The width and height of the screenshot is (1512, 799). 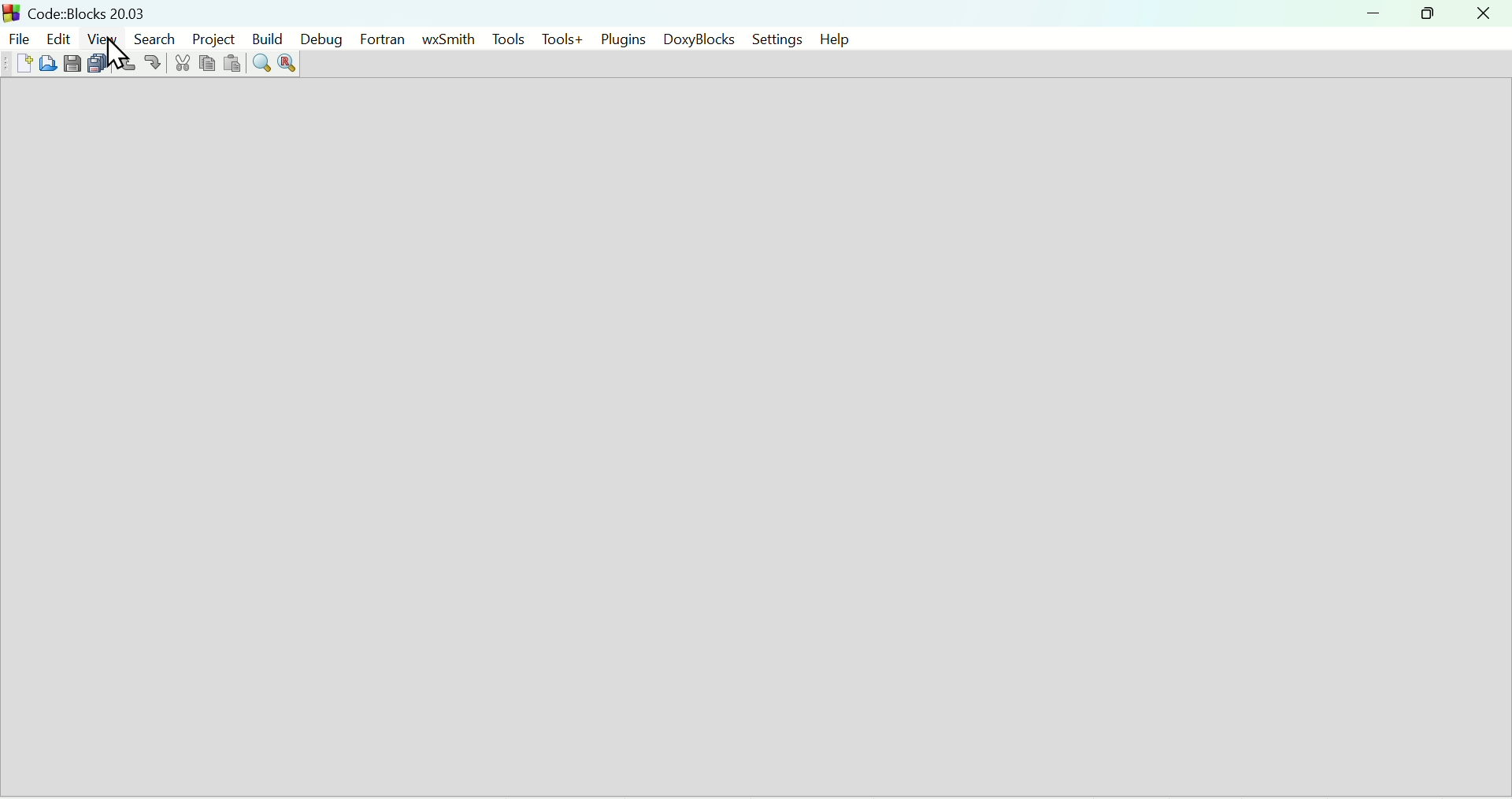 I want to click on Save everything, so click(x=97, y=63).